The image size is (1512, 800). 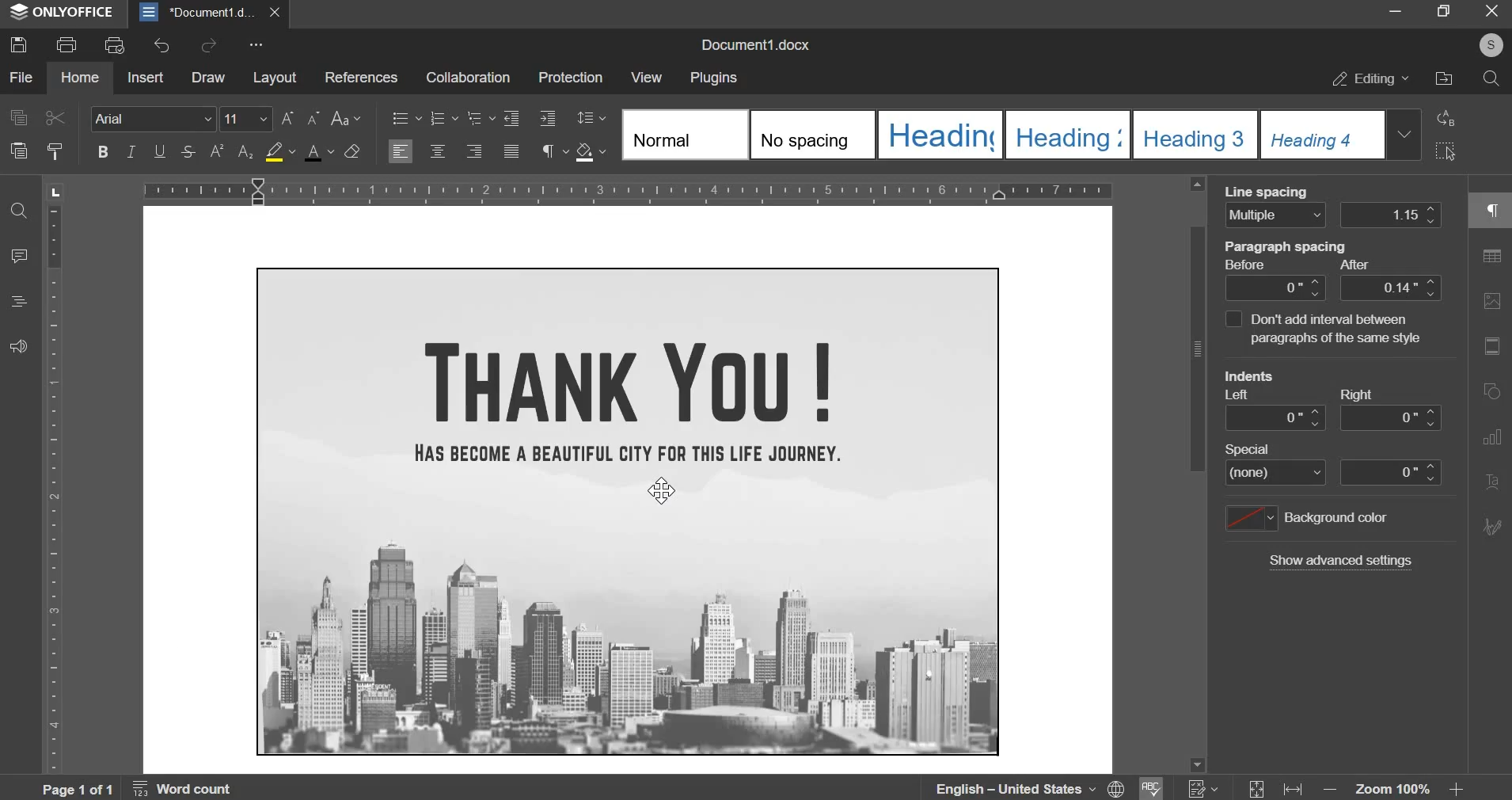 What do you see at coordinates (1447, 151) in the screenshot?
I see `select` at bounding box center [1447, 151].